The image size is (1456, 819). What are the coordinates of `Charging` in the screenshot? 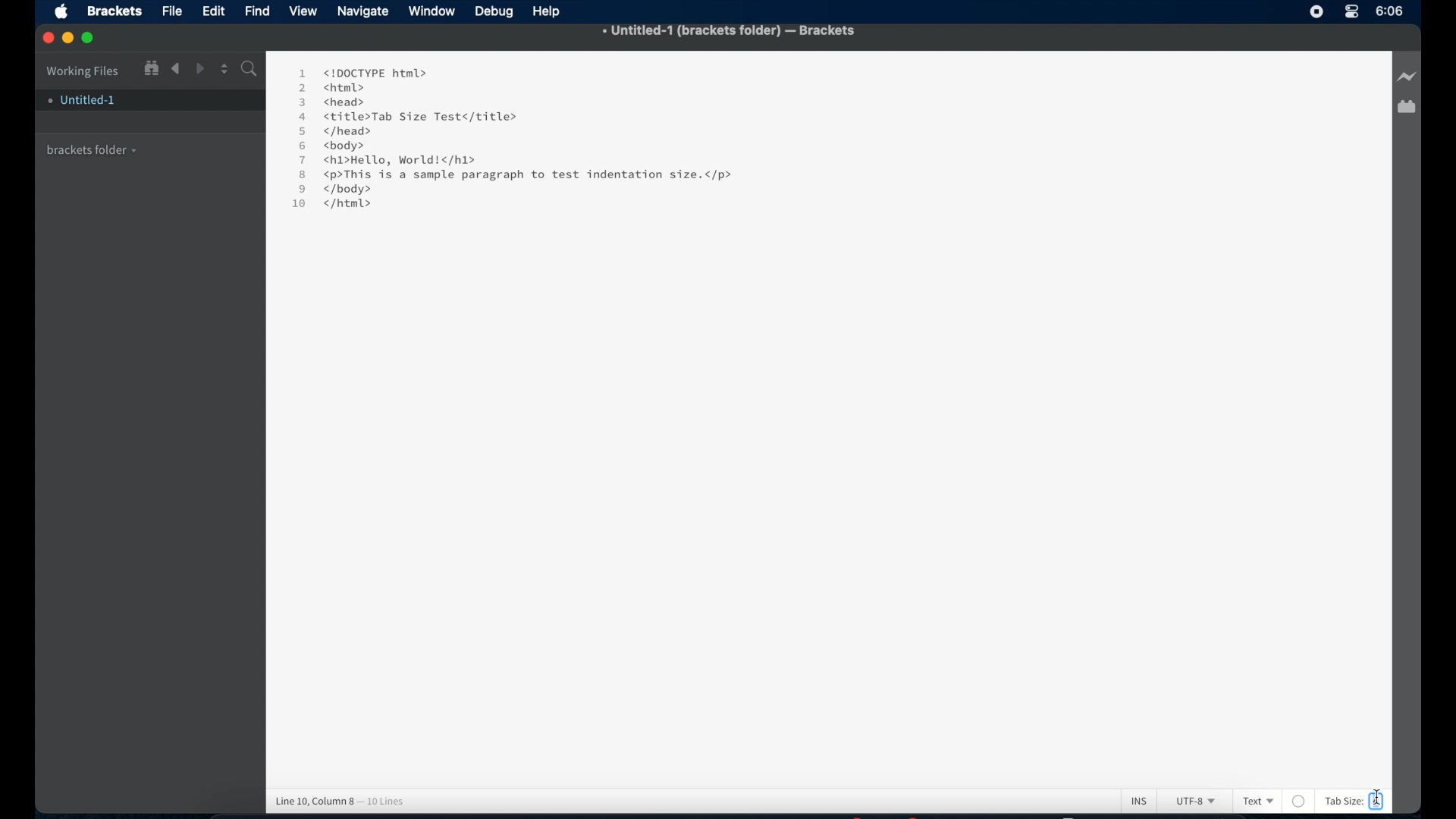 It's located at (1406, 77).